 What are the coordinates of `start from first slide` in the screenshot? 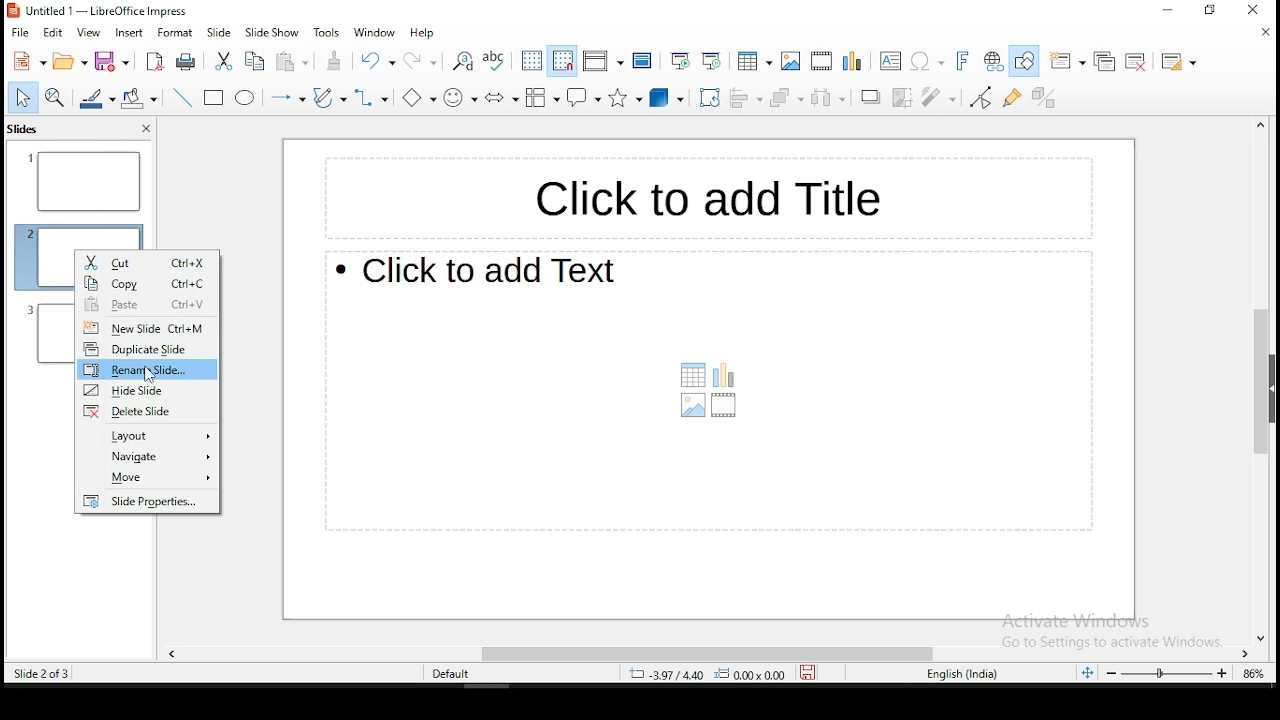 It's located at (676, 62).